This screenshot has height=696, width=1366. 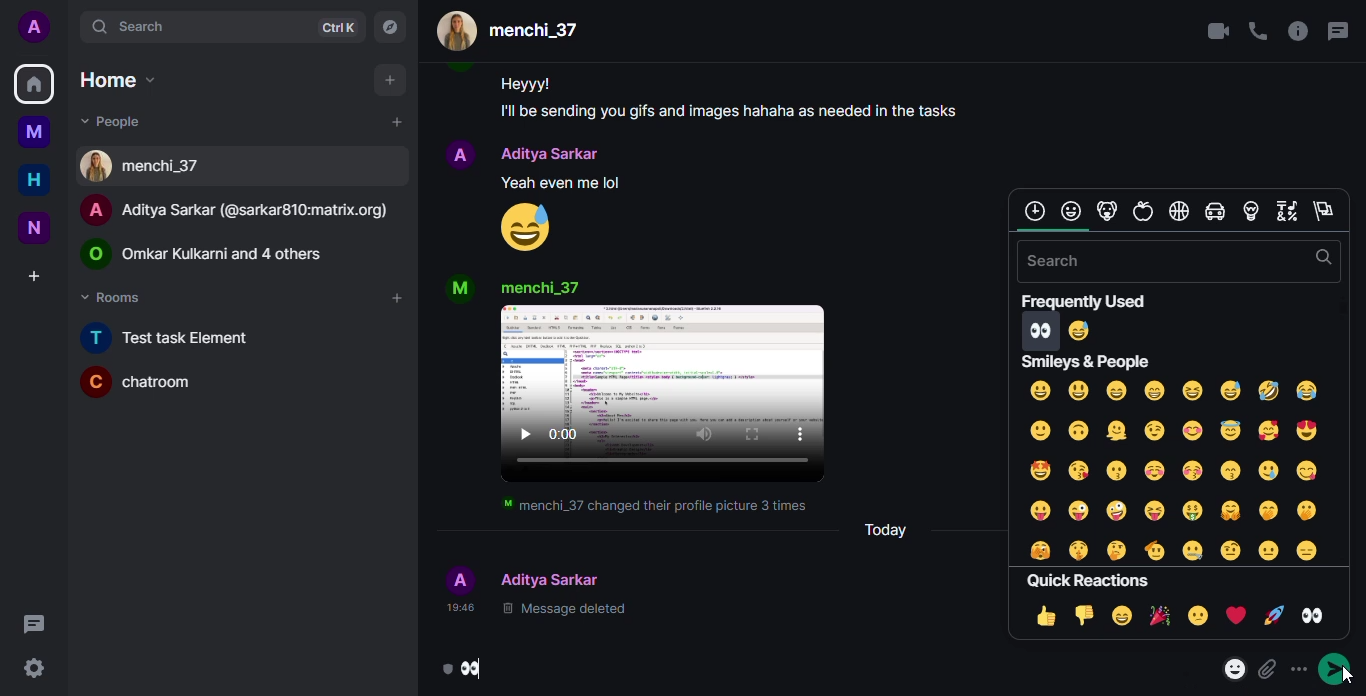 What do you see at coordinates (886, 529) in the screenshot?
I see `today` at bounding box center [886, 529].